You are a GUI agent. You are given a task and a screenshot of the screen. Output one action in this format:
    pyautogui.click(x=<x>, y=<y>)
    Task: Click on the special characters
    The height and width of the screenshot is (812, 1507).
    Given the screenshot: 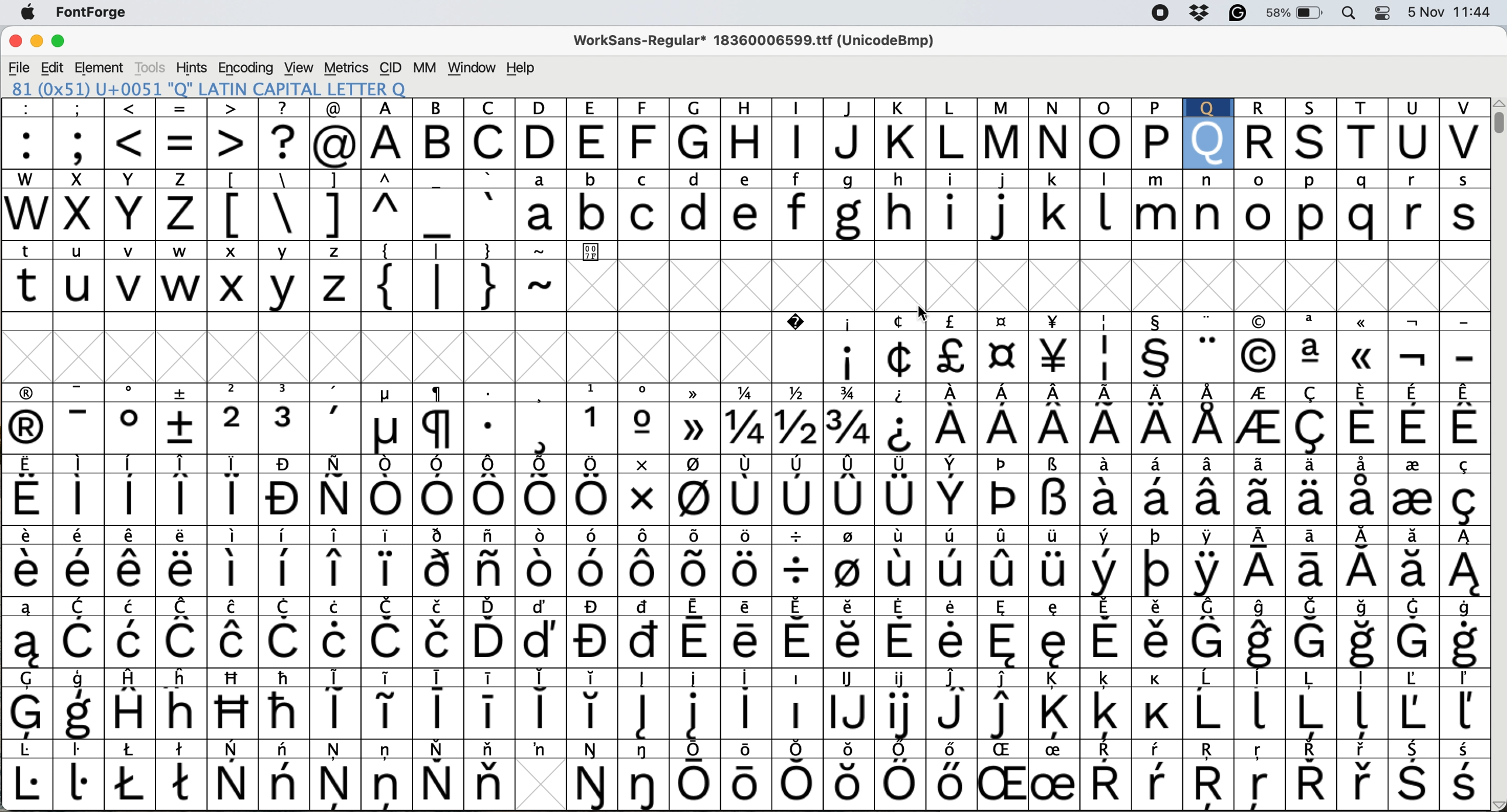 What is the action you would take?
    pyautogui.click(x=750, y=607)
    